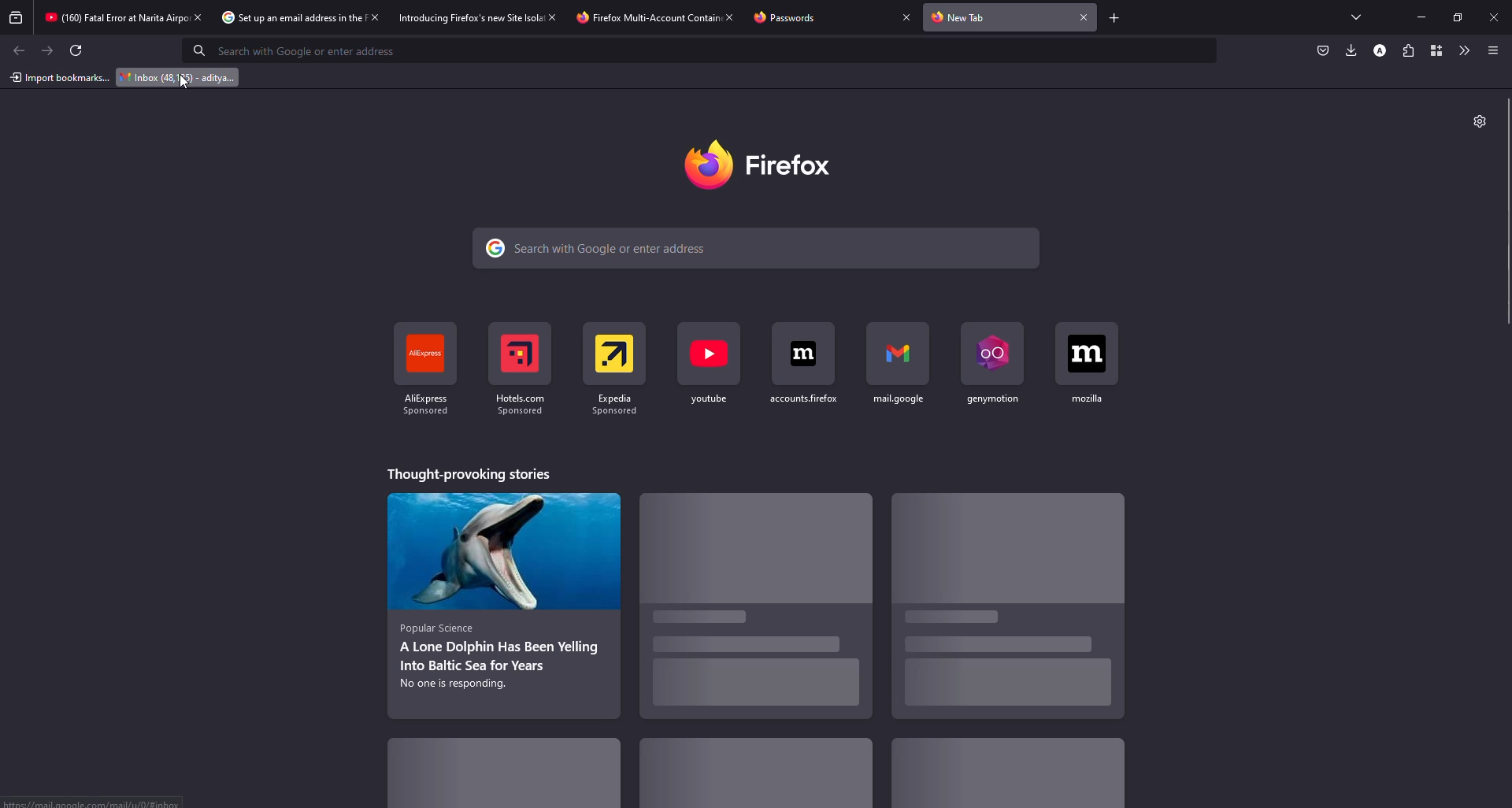 This screenshot has width=1512, height=808. Describe the element at coordinates (611, 407) in the screenshot. I see `Expedia Sponsored` at that location.